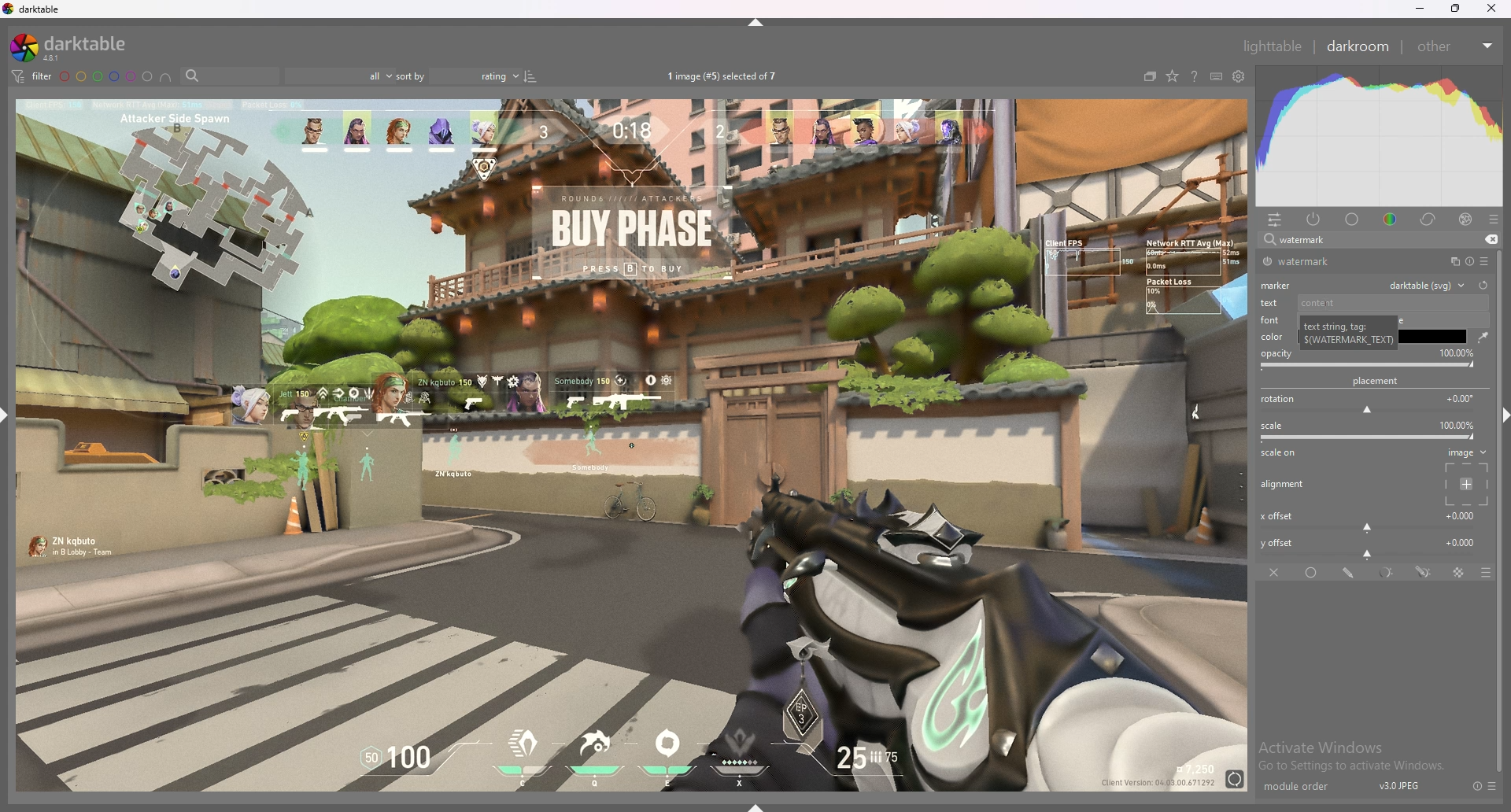  What do you see at coordinates (1276, 572) in the screenshot?
I see `off` at bounding box center [1276, 572].